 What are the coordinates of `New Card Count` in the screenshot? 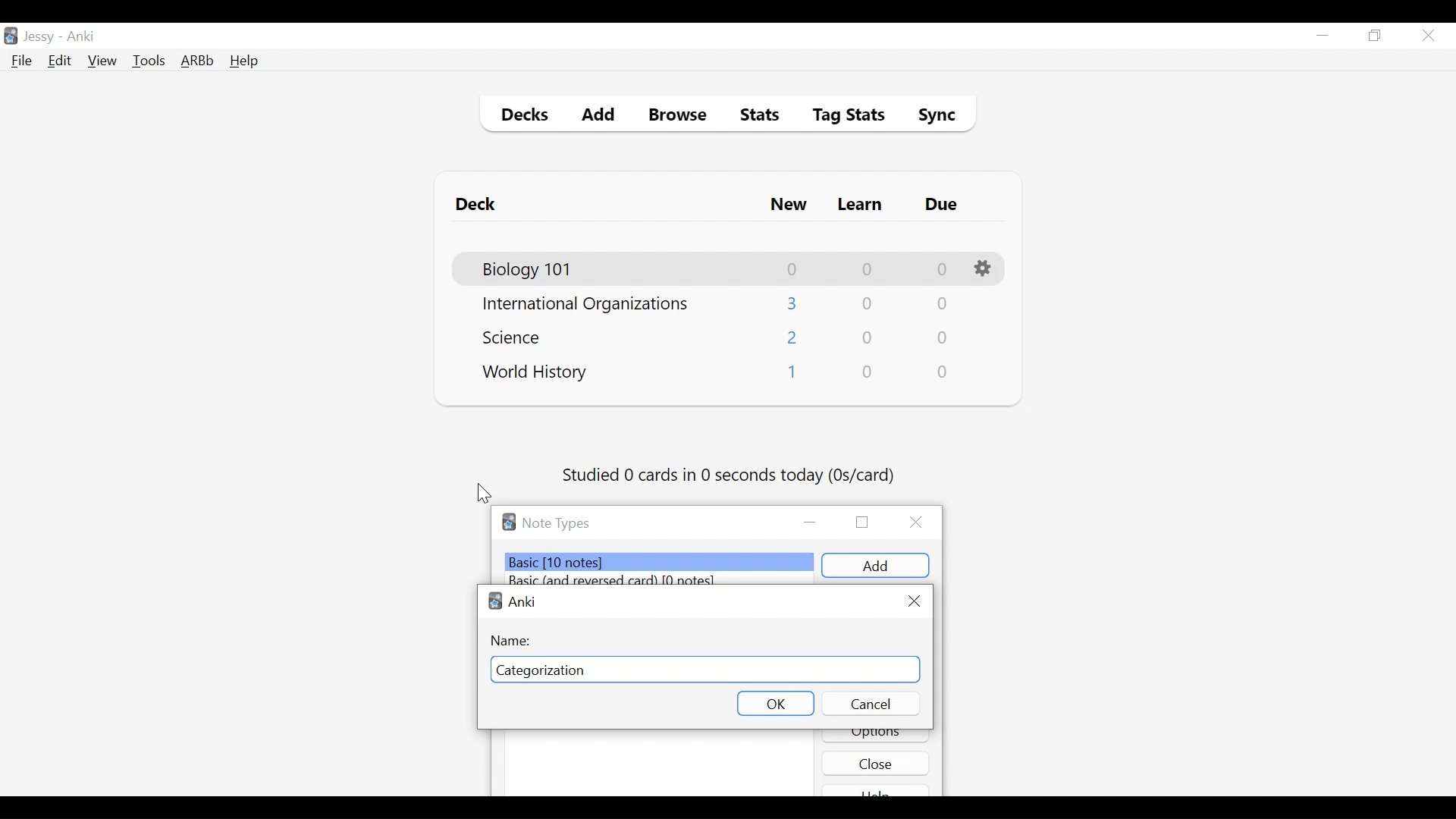 It's located at (793, 303).